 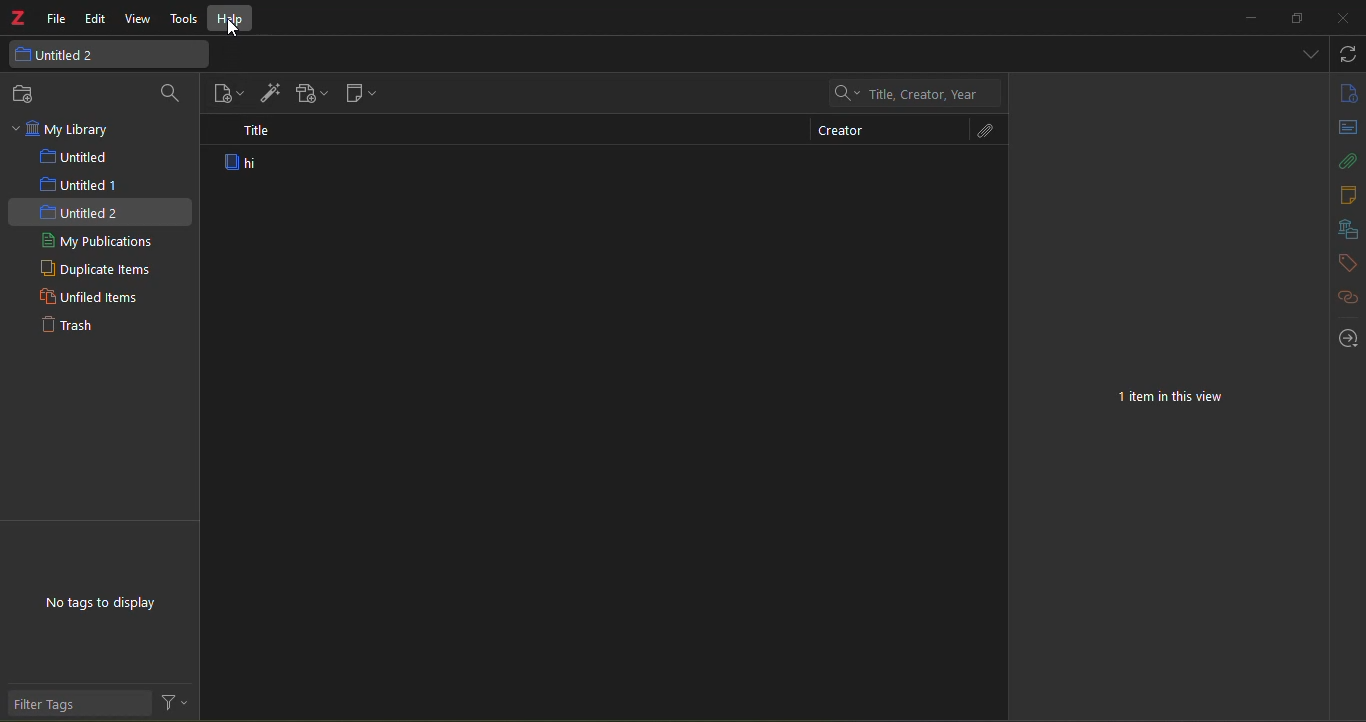 What do you see at coordinates (1345, 228) in the screenshot?
I see `library` at bounding box center [1345, 228].